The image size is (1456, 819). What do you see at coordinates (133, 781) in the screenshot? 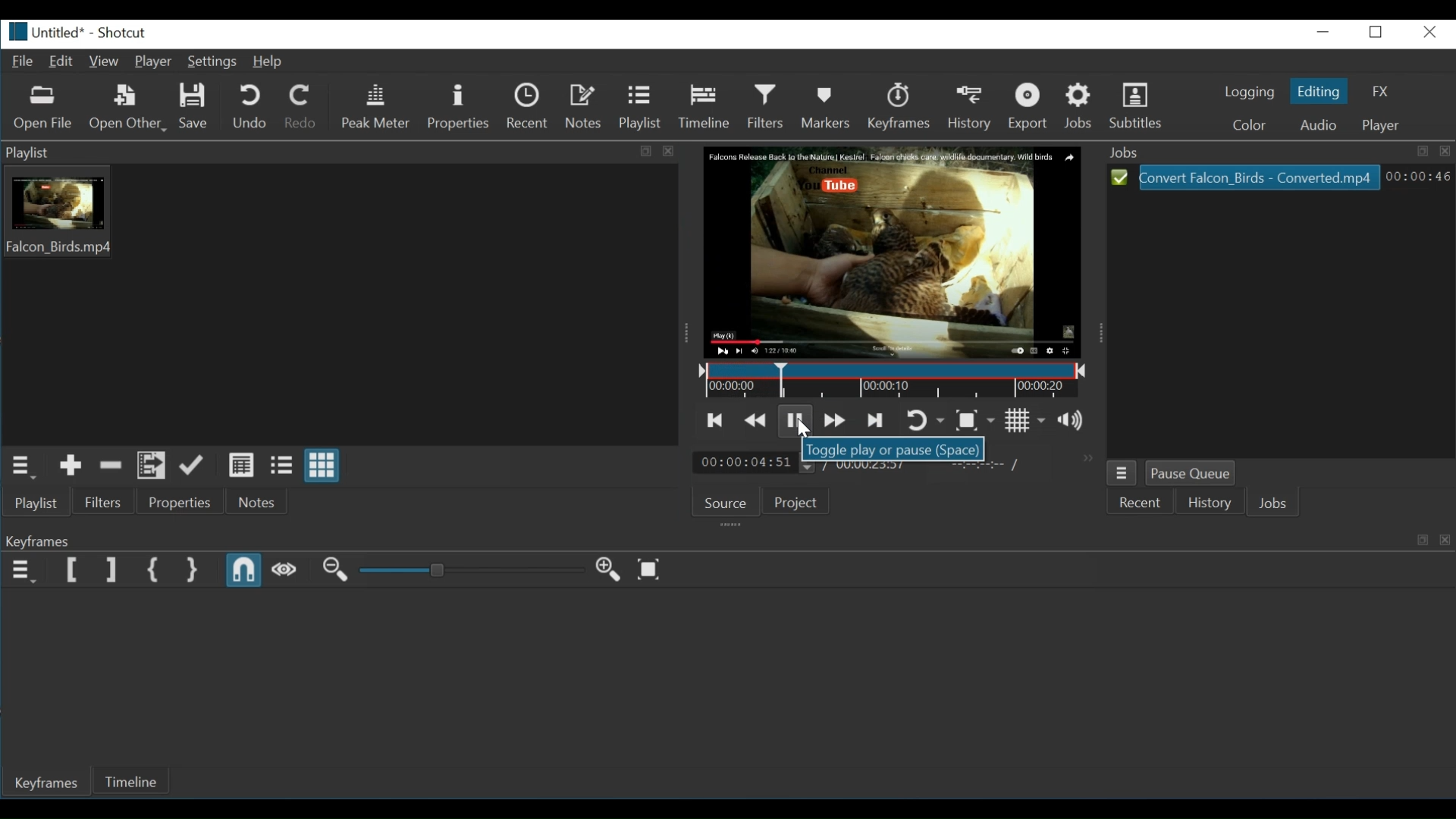
I see `Timeline` at bounding box center [133, 781].